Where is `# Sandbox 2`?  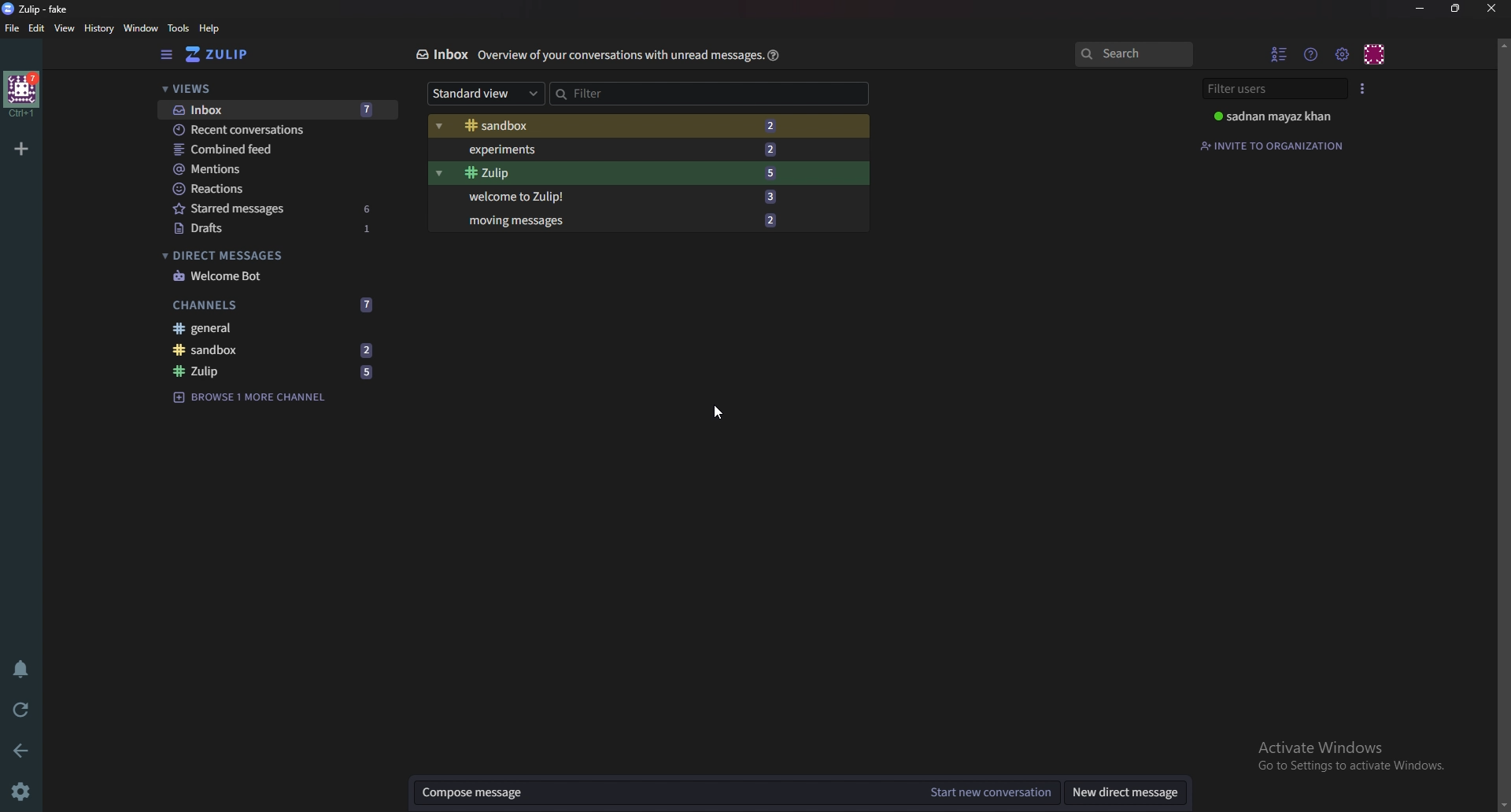 # Sandbox 2 is located at coordinates (612, 125).